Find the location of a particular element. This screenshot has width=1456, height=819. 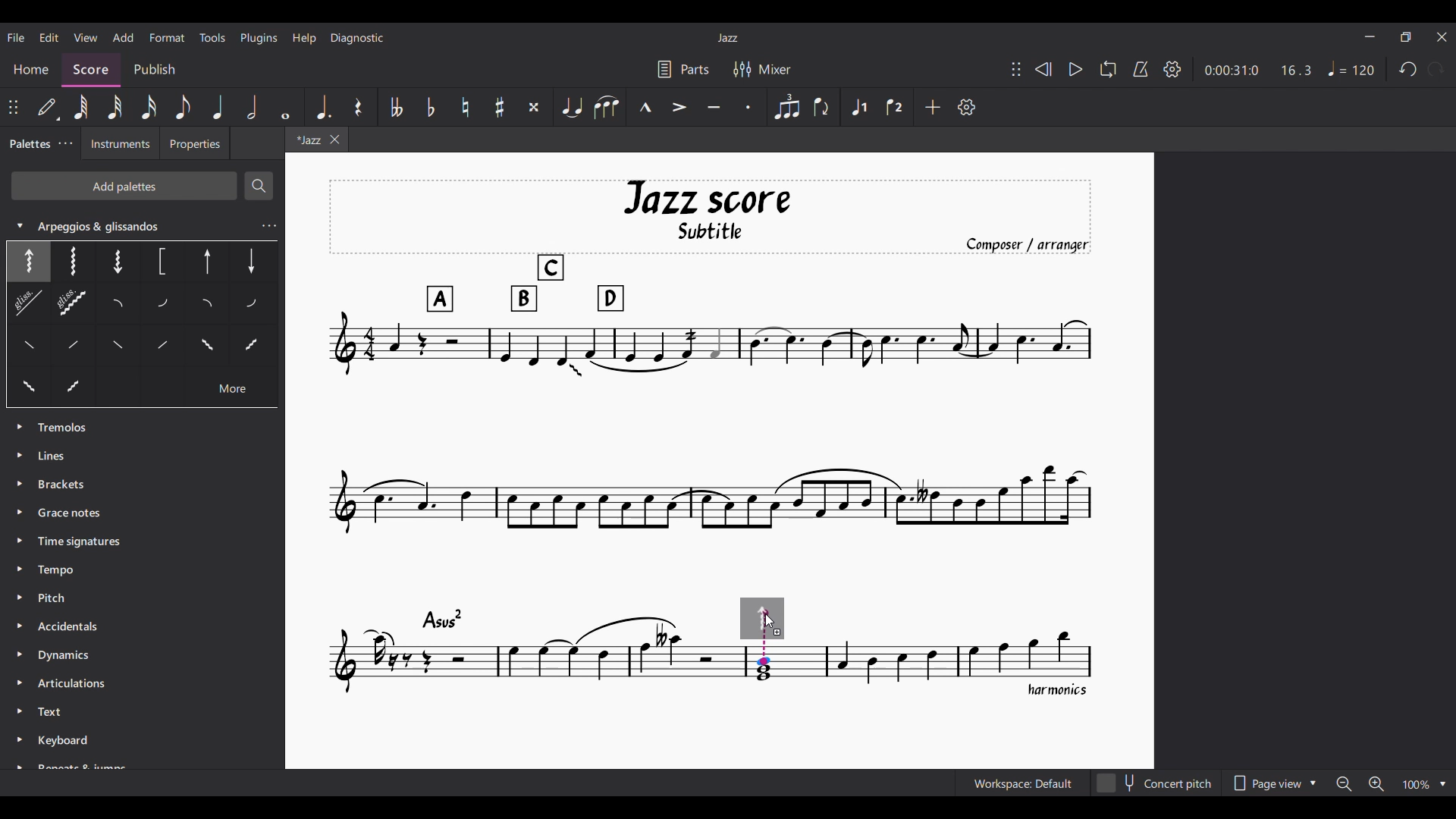

Toggle double flat is located at coordinates (395, 108).